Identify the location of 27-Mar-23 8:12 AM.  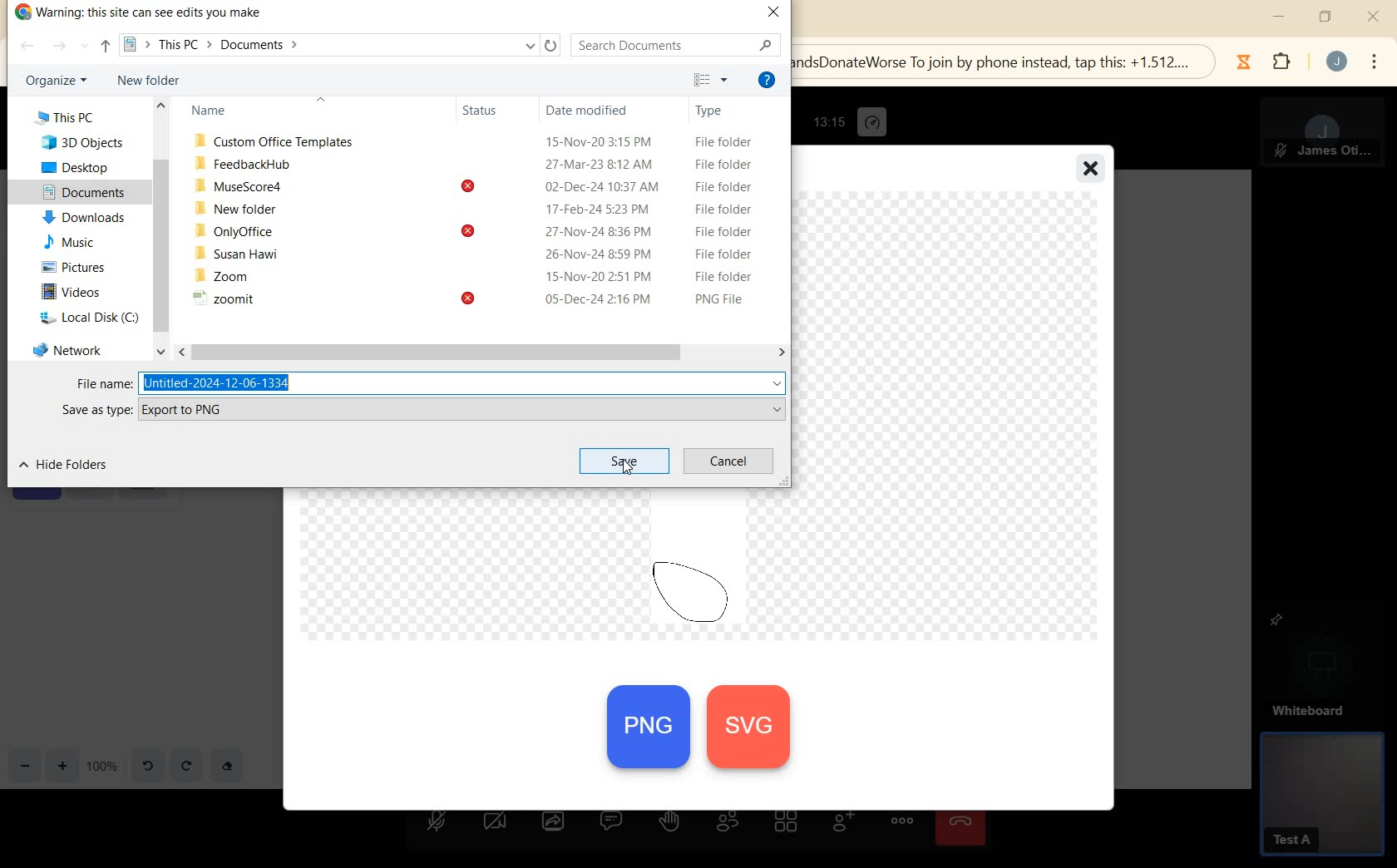
(596, 164).